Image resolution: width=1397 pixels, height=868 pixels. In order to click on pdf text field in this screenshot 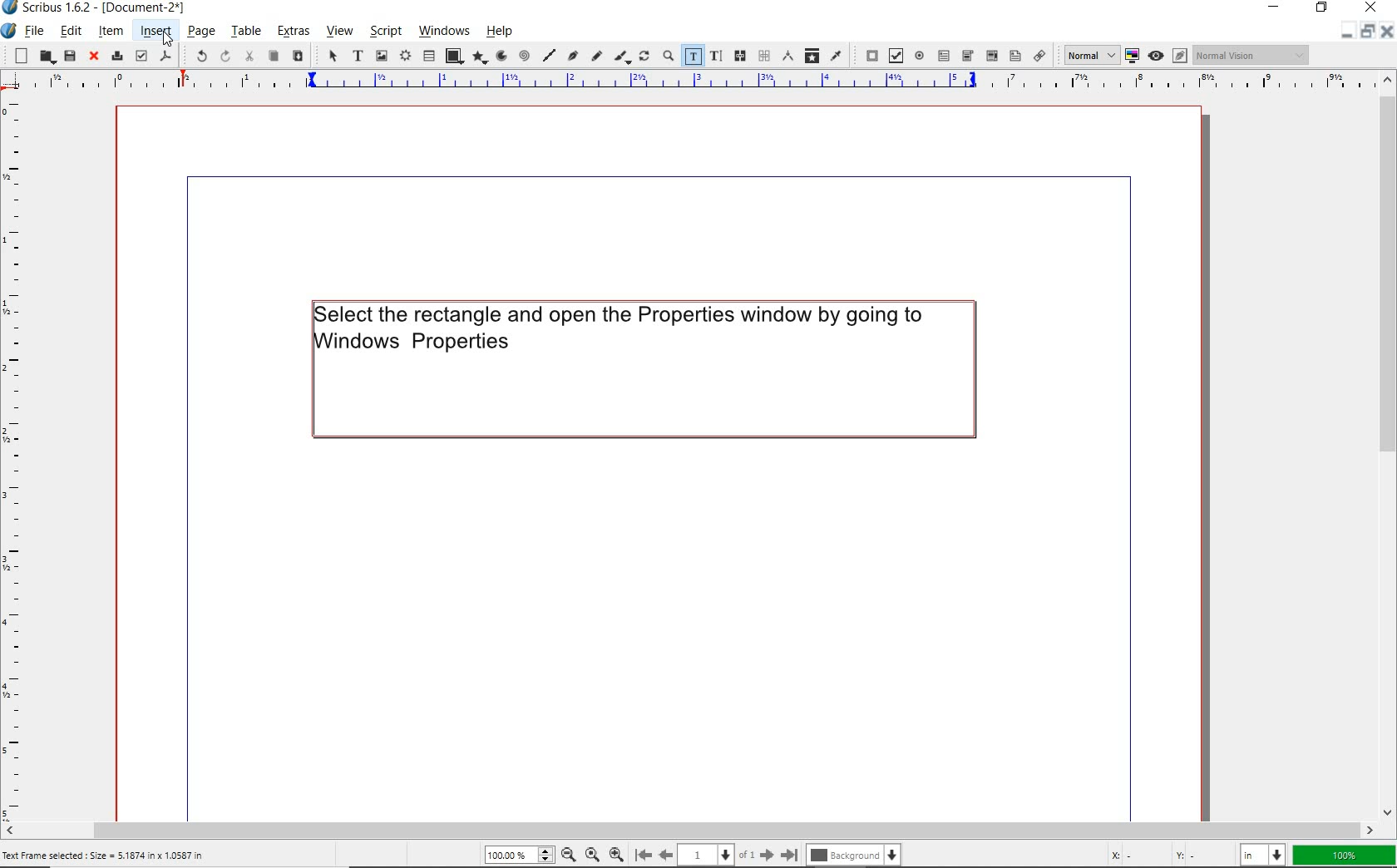, I will do `click(944, 55)`.